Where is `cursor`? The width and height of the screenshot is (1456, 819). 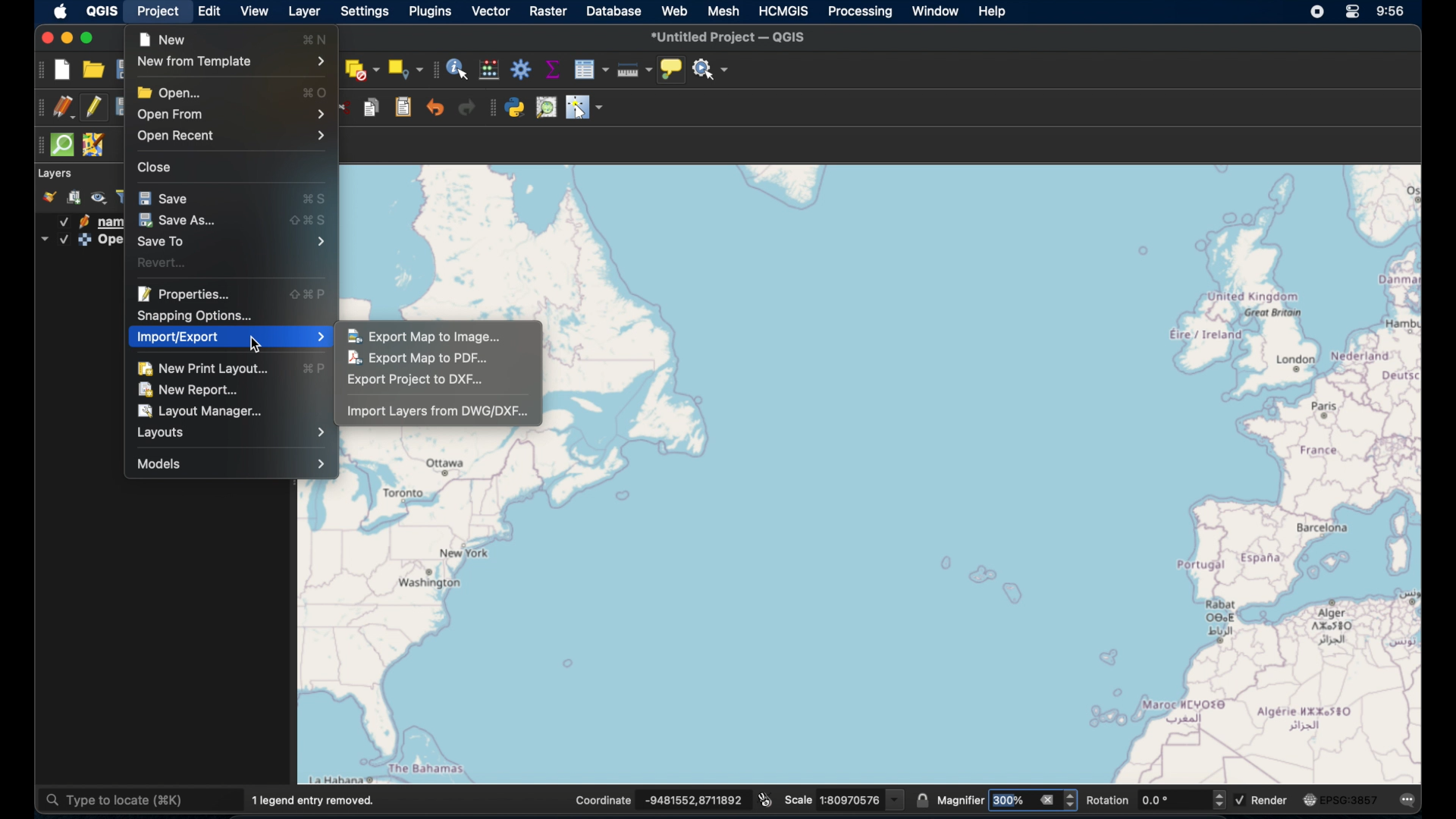
cursor is located at coordinates (259, 342).